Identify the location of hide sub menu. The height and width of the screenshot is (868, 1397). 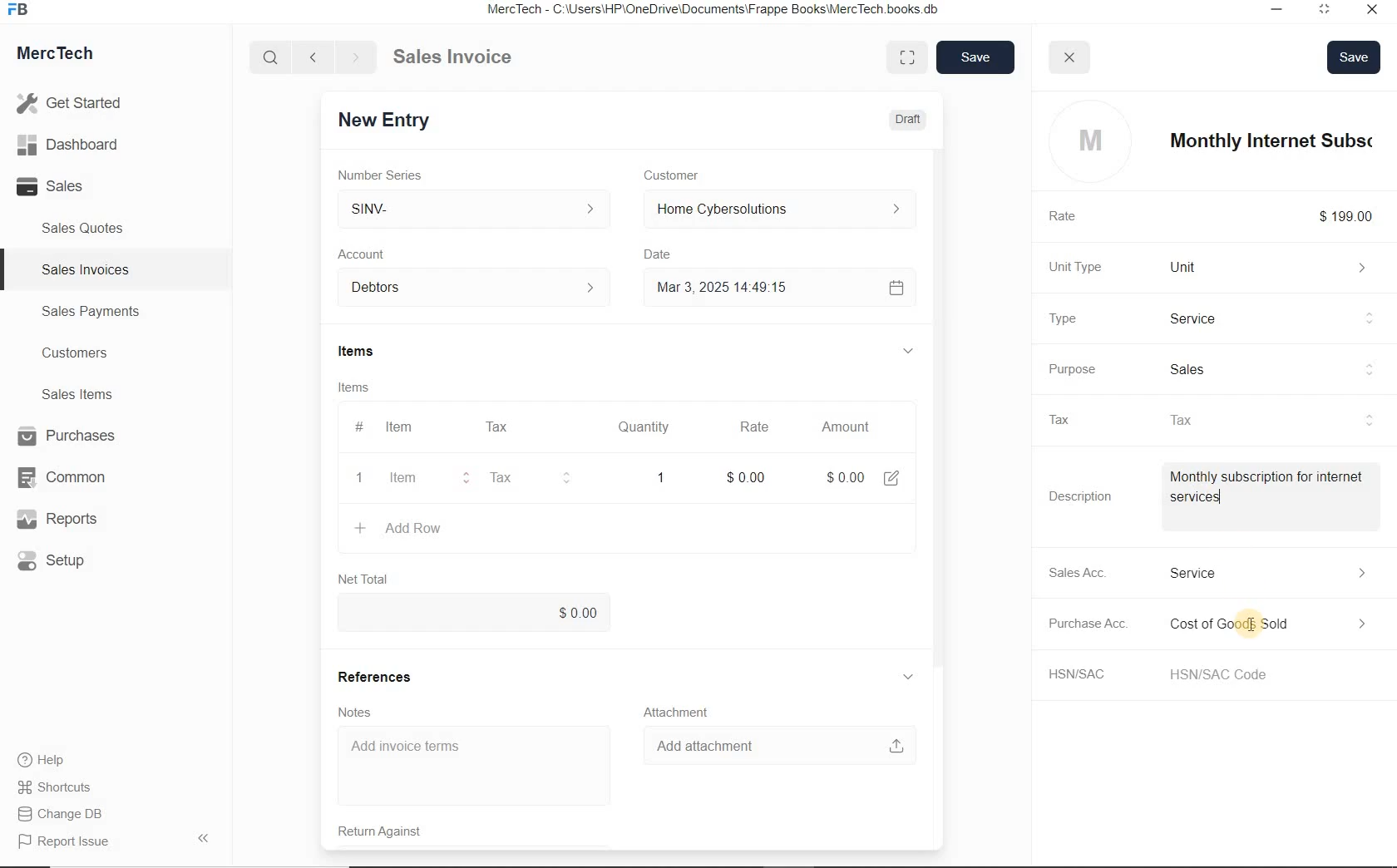
(907, 352).